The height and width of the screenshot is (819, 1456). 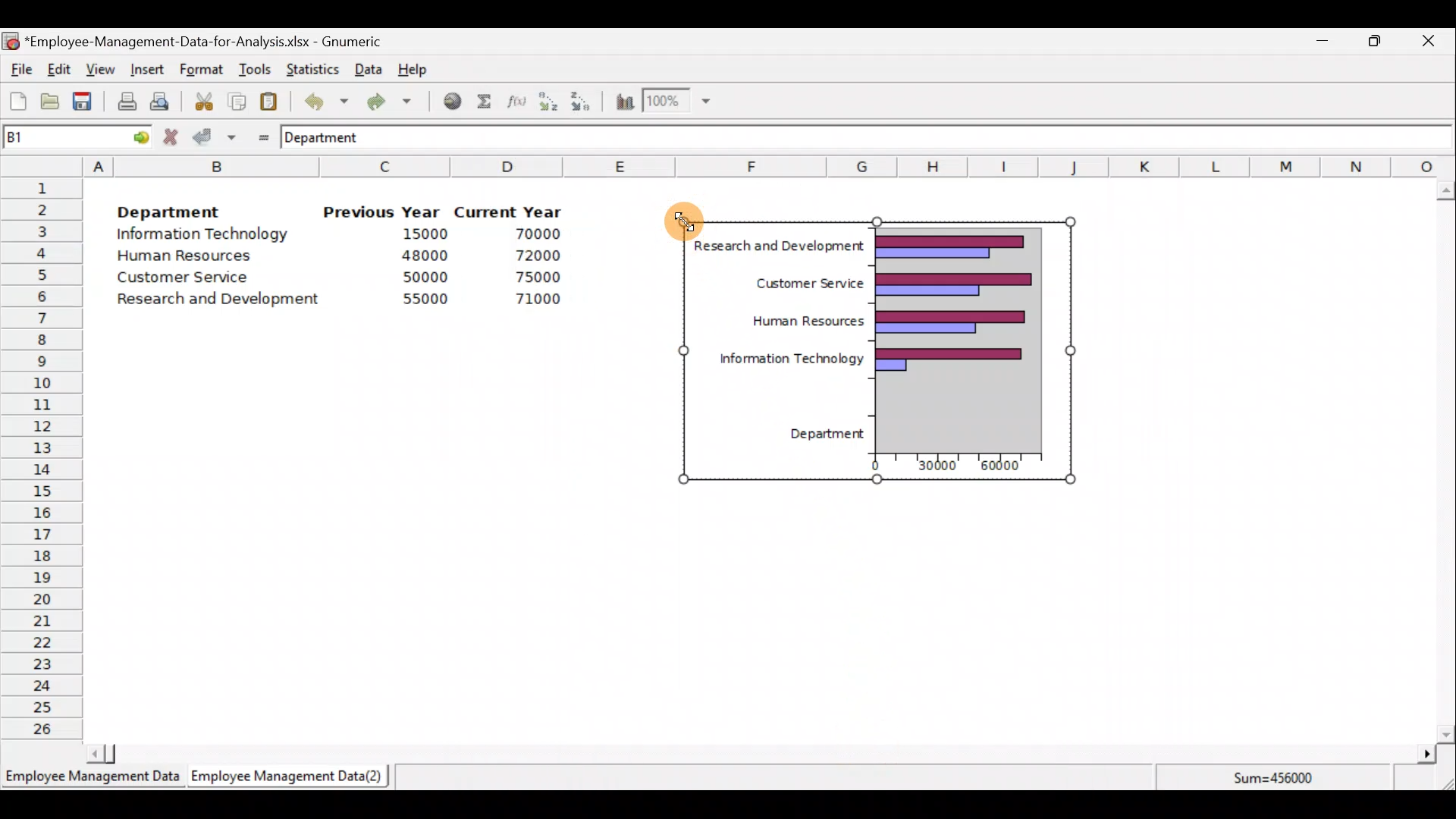 I want to click on Department, so click(x=168, y=208).